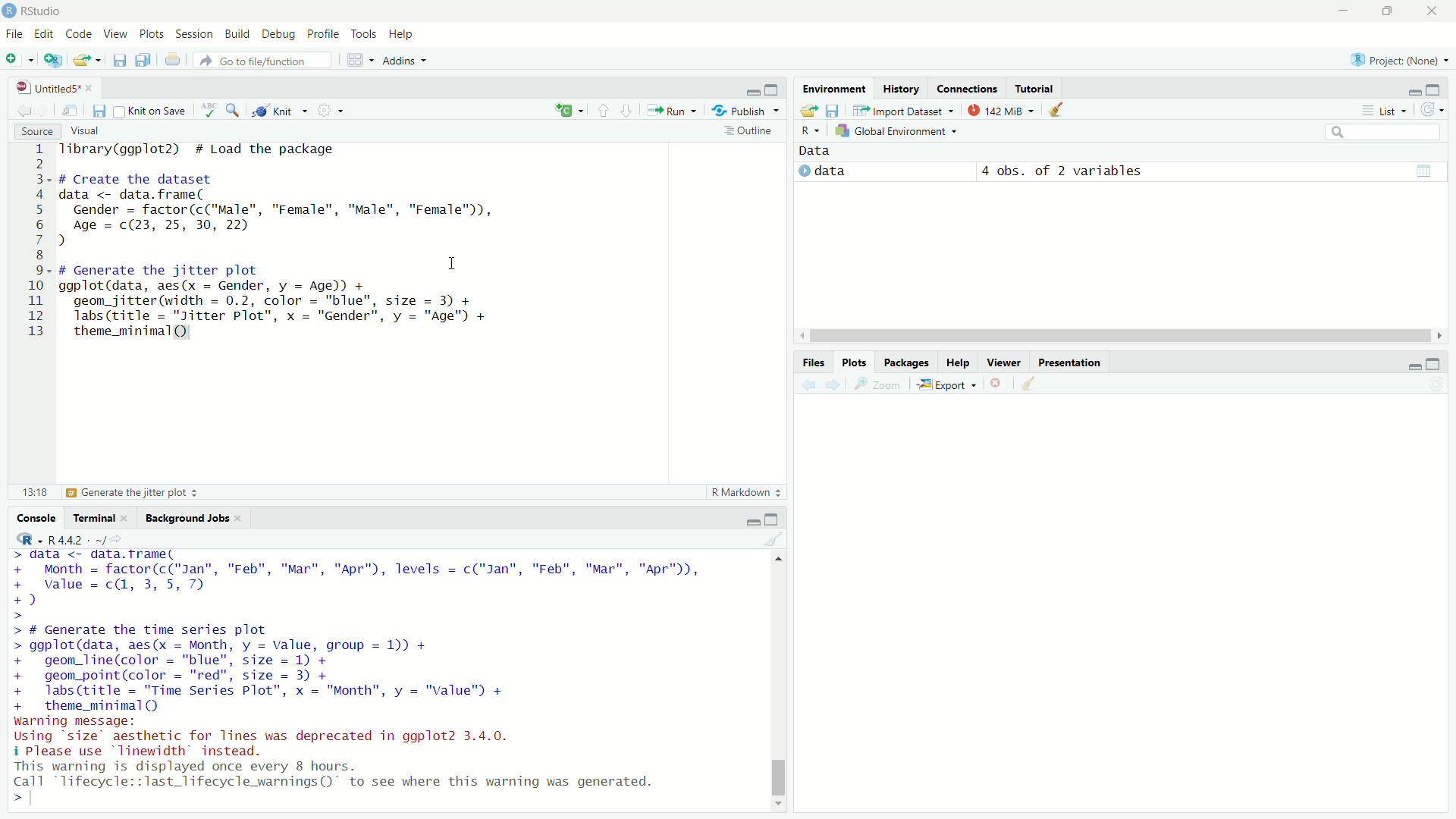 The image size is (1456, 819). Describe the element at coordinates (42, 88) in the screenshot. I see `untitled5` at that location.